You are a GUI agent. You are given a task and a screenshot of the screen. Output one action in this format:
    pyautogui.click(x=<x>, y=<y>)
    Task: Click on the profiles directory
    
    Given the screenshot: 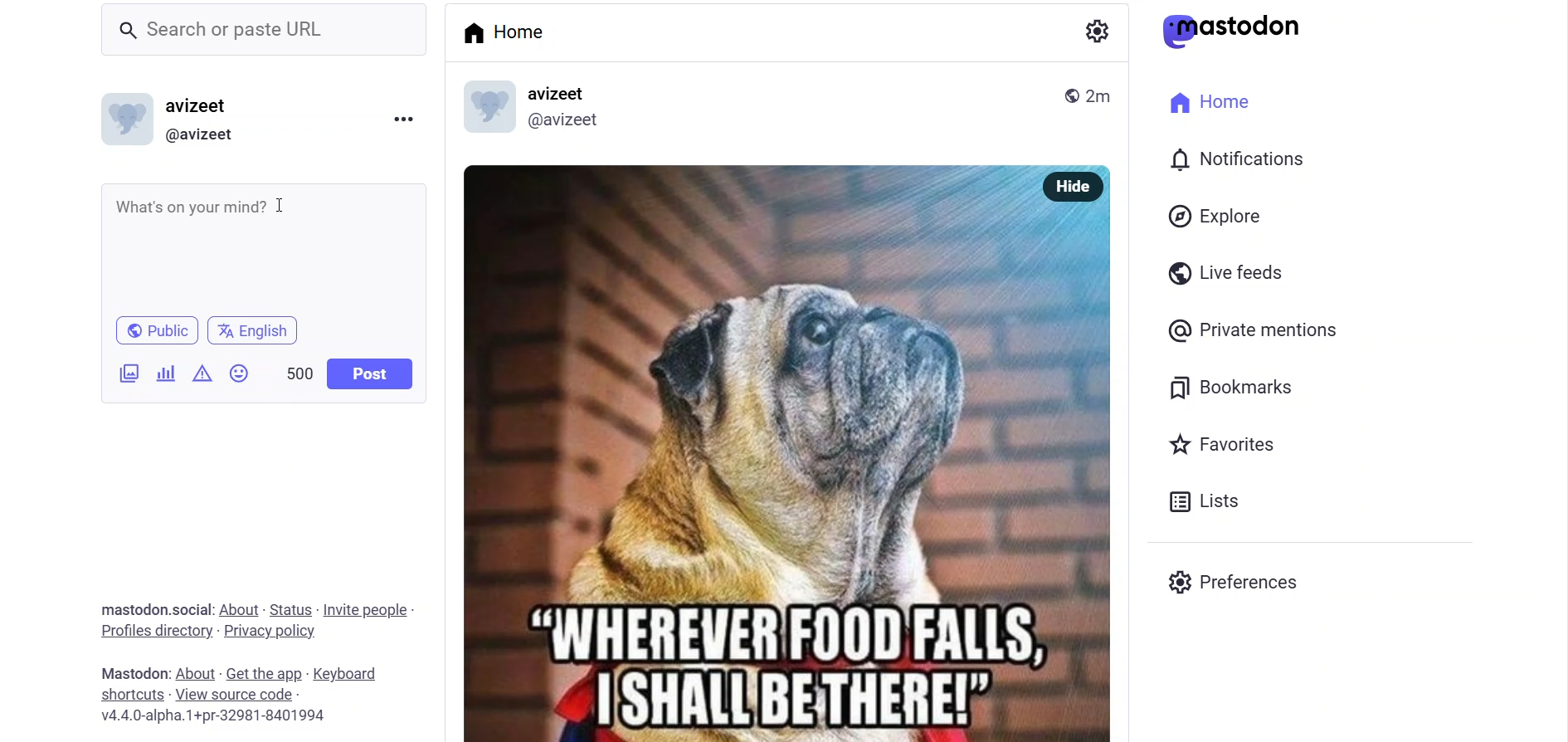 What is the action you would take?
    pyautogui.click(x=152, y=630)
    